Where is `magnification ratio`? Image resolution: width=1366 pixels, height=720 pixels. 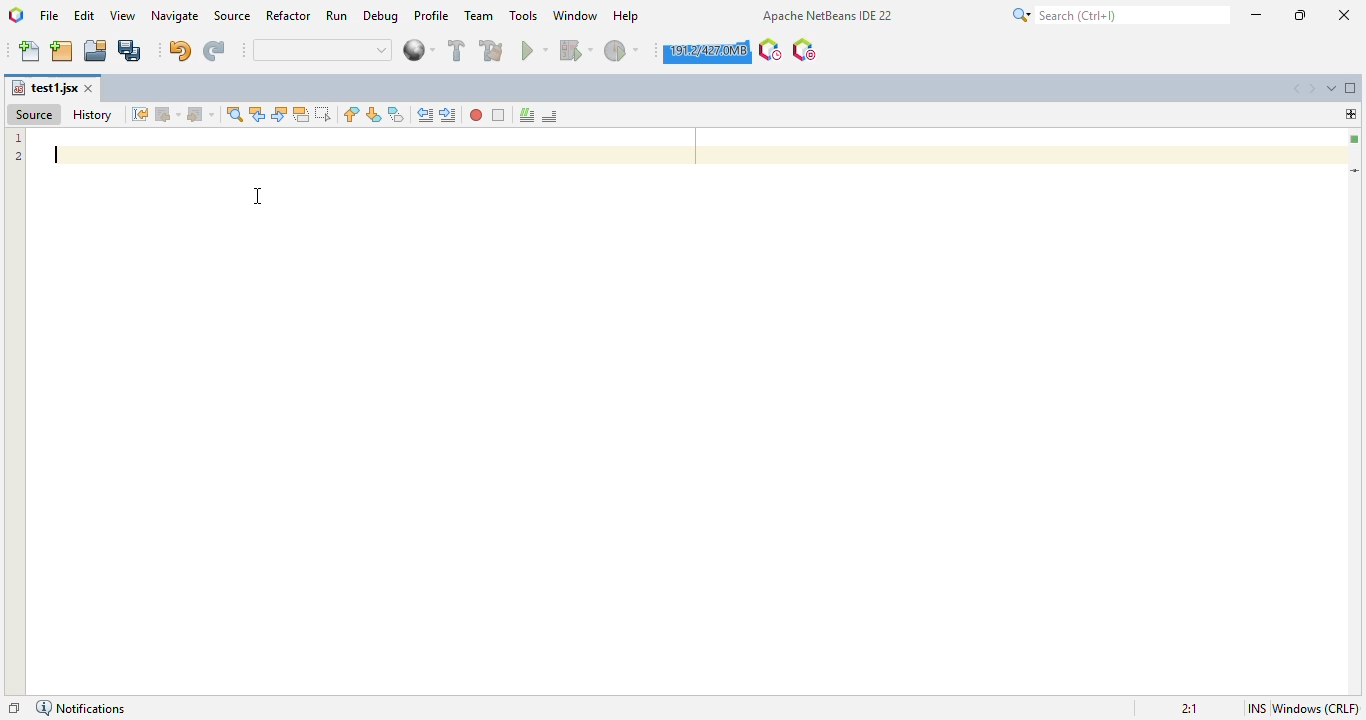 magnification ratio is located at coordinates (1191, 709).